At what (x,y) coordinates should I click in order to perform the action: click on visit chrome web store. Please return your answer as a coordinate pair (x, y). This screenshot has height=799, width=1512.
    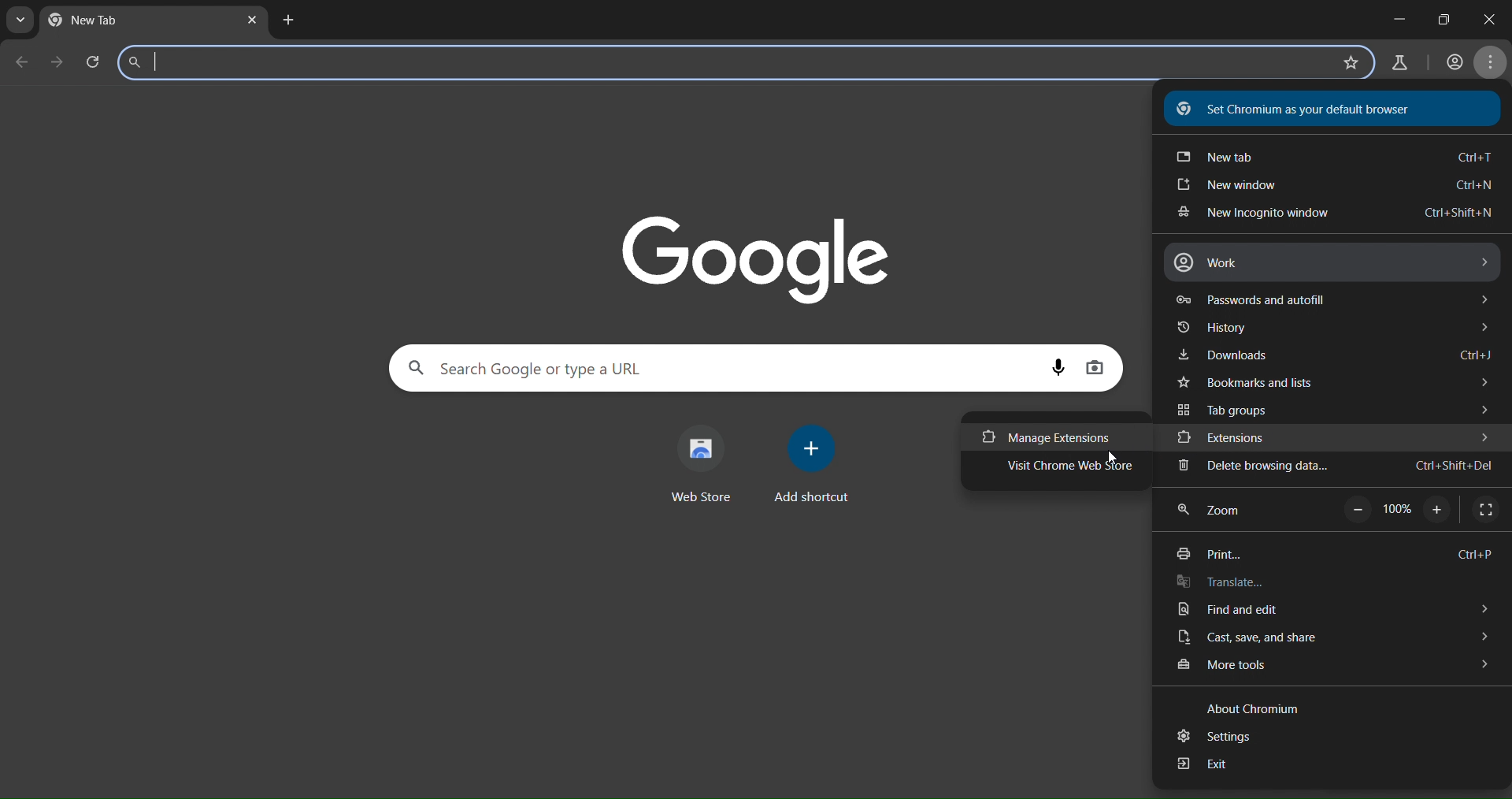
    Looking at the image, I should click on (1071, 469).